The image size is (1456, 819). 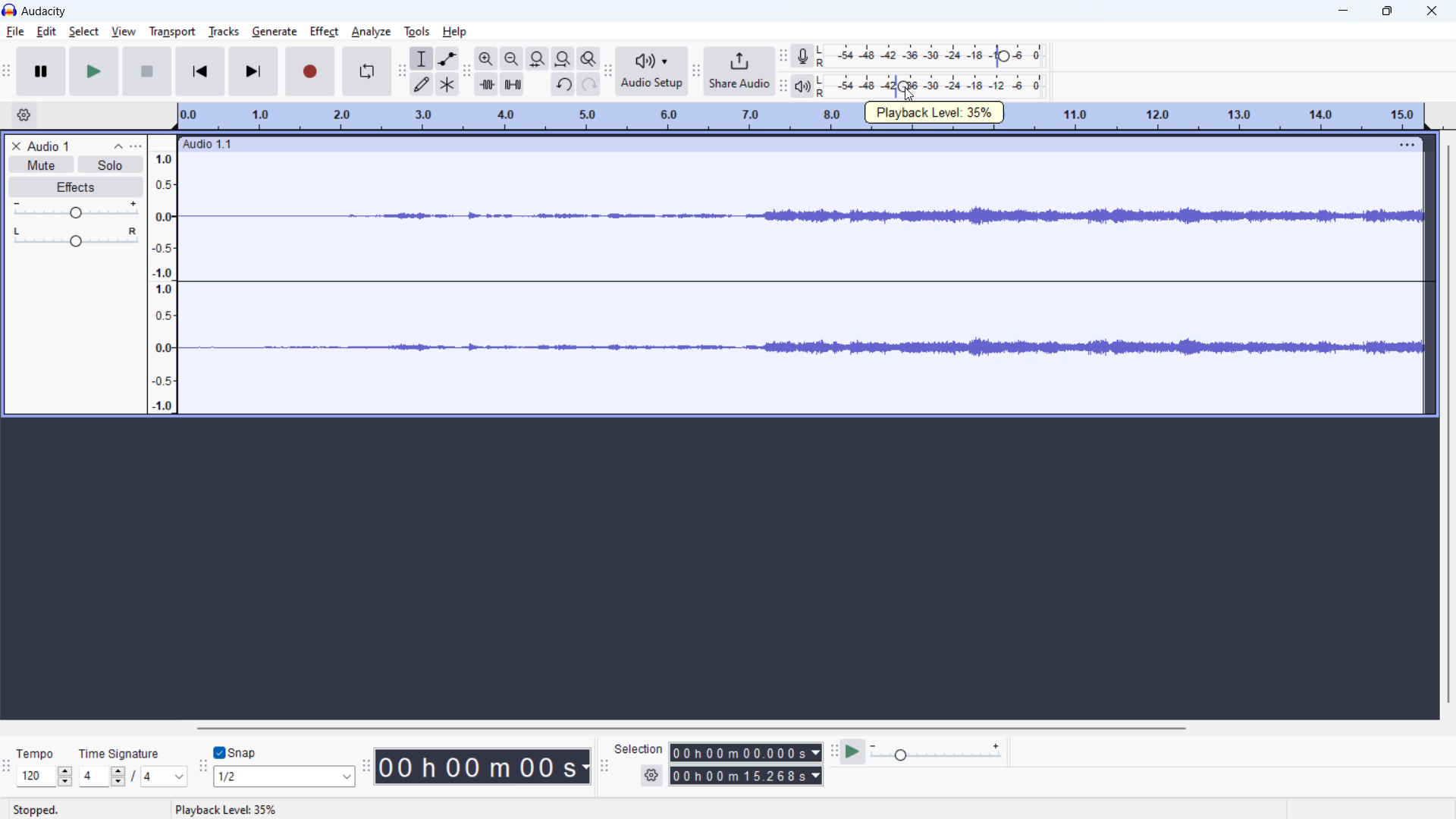 What do you see at coordinates (486, 84) in the screenshot?
I see `trim audio outside selection` at bounding box center [486, 84].